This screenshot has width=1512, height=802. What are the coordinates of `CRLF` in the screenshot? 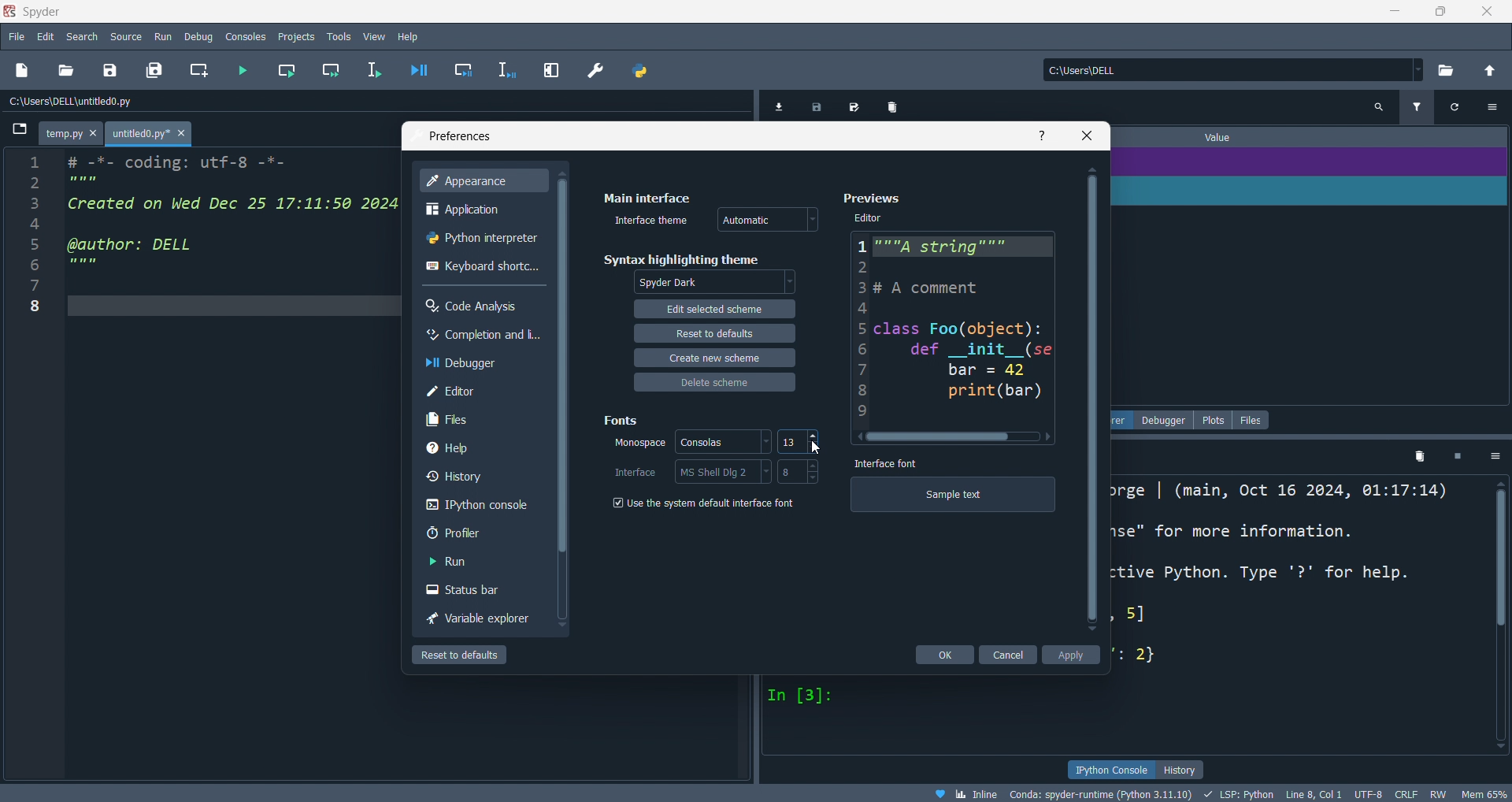 It's located at (1408, 794).